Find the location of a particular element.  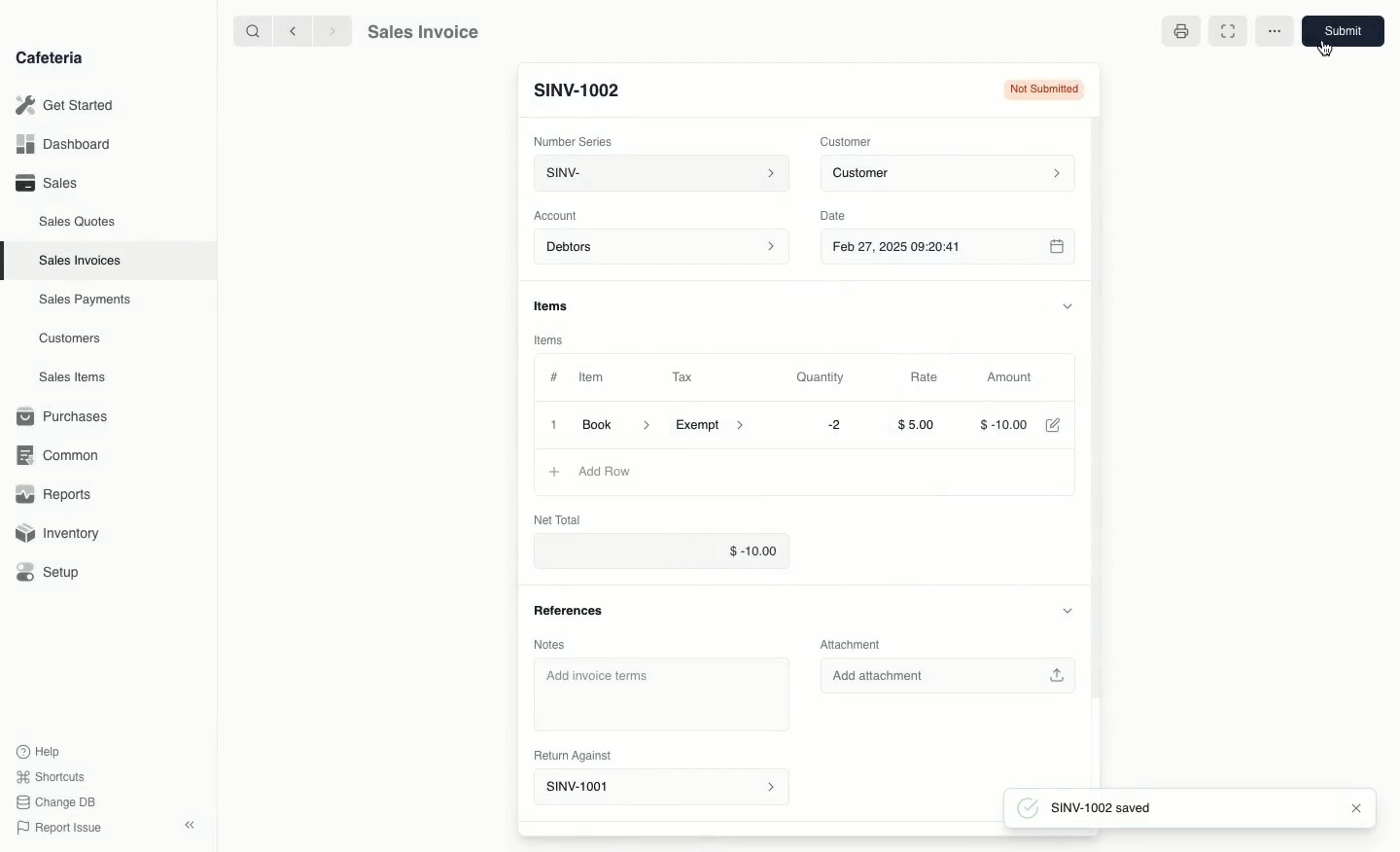

Quantity is located at coordinates (825, 377).